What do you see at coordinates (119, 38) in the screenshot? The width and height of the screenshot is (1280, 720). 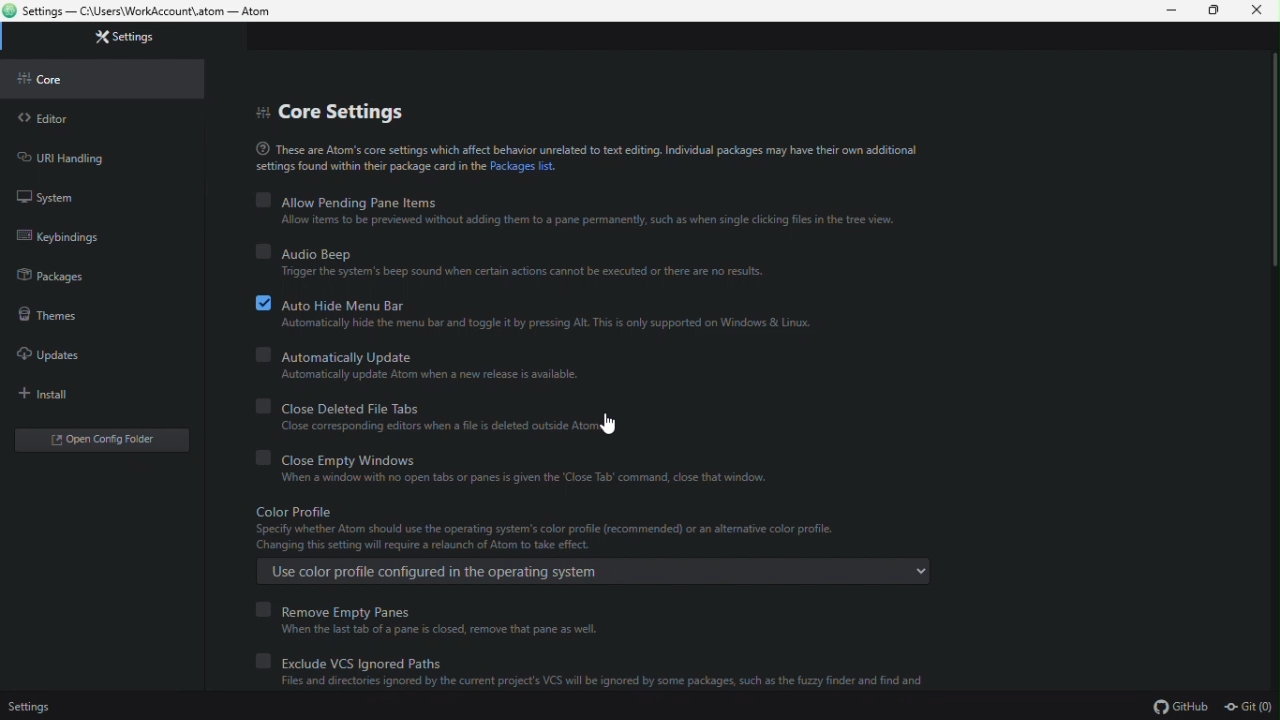 I see `settings` at bounding box center [119, 38].